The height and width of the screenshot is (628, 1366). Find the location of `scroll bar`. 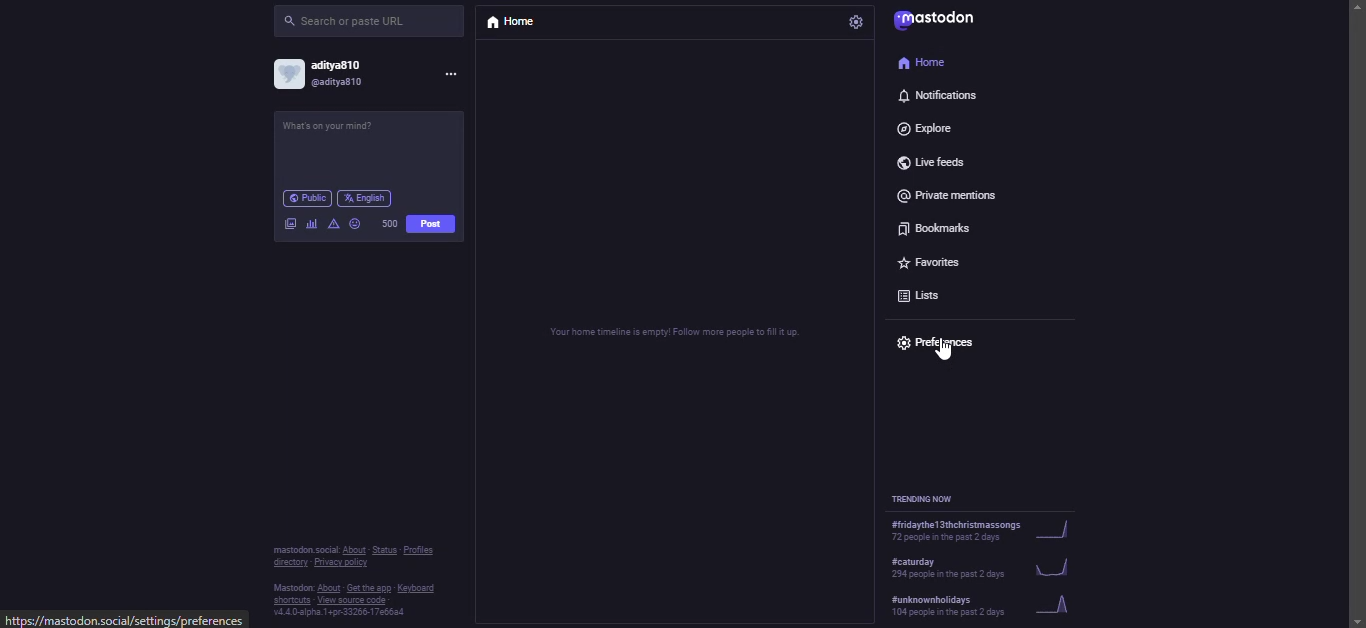

scroll bar is located at coordinates (1352, 296).